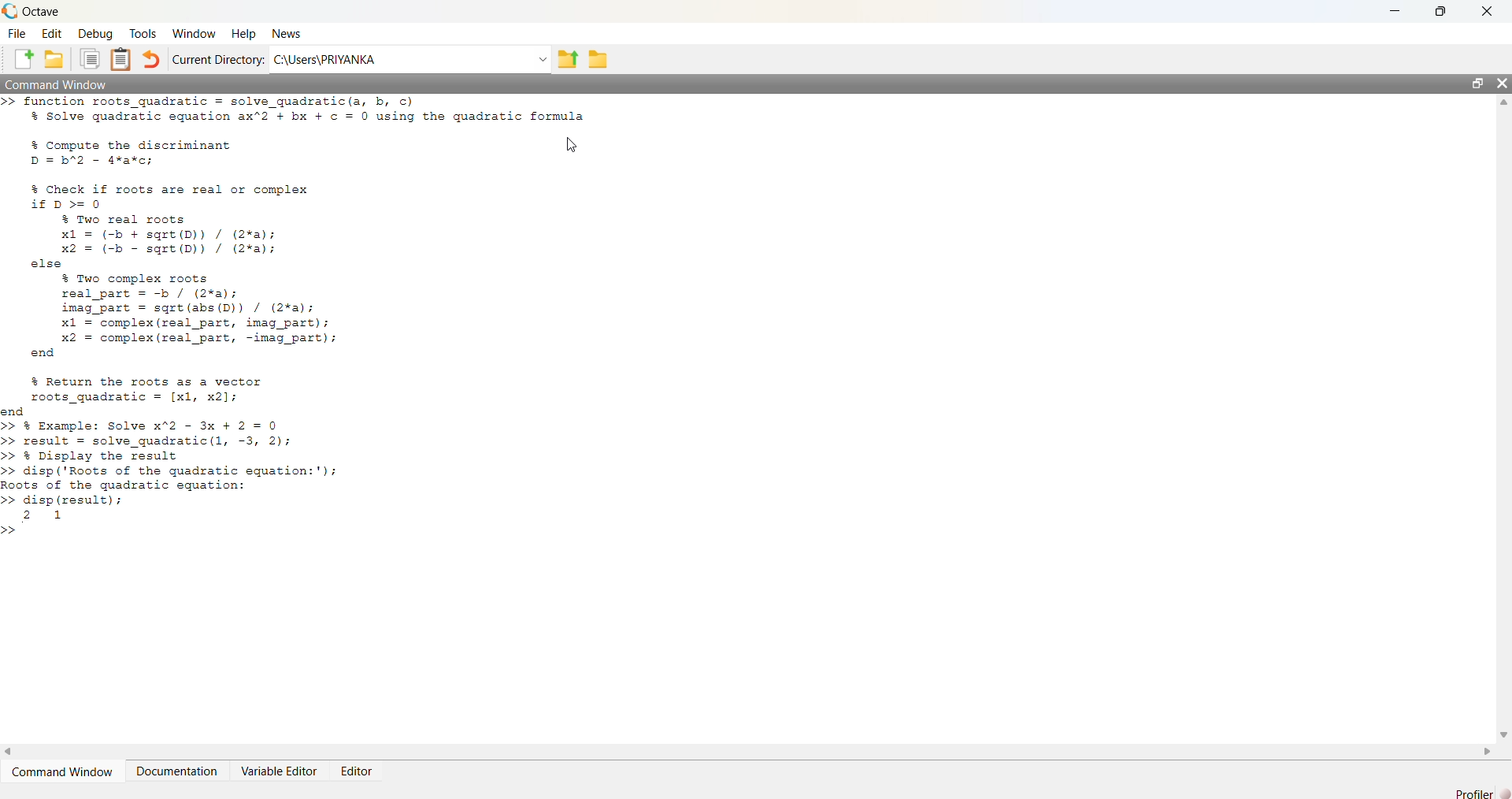 This screenshot has width=1512, height=799. What do you see at coordinates (218, 59) in the screenshot?
I see `Current Directory:` at bounding box center [218, 59].